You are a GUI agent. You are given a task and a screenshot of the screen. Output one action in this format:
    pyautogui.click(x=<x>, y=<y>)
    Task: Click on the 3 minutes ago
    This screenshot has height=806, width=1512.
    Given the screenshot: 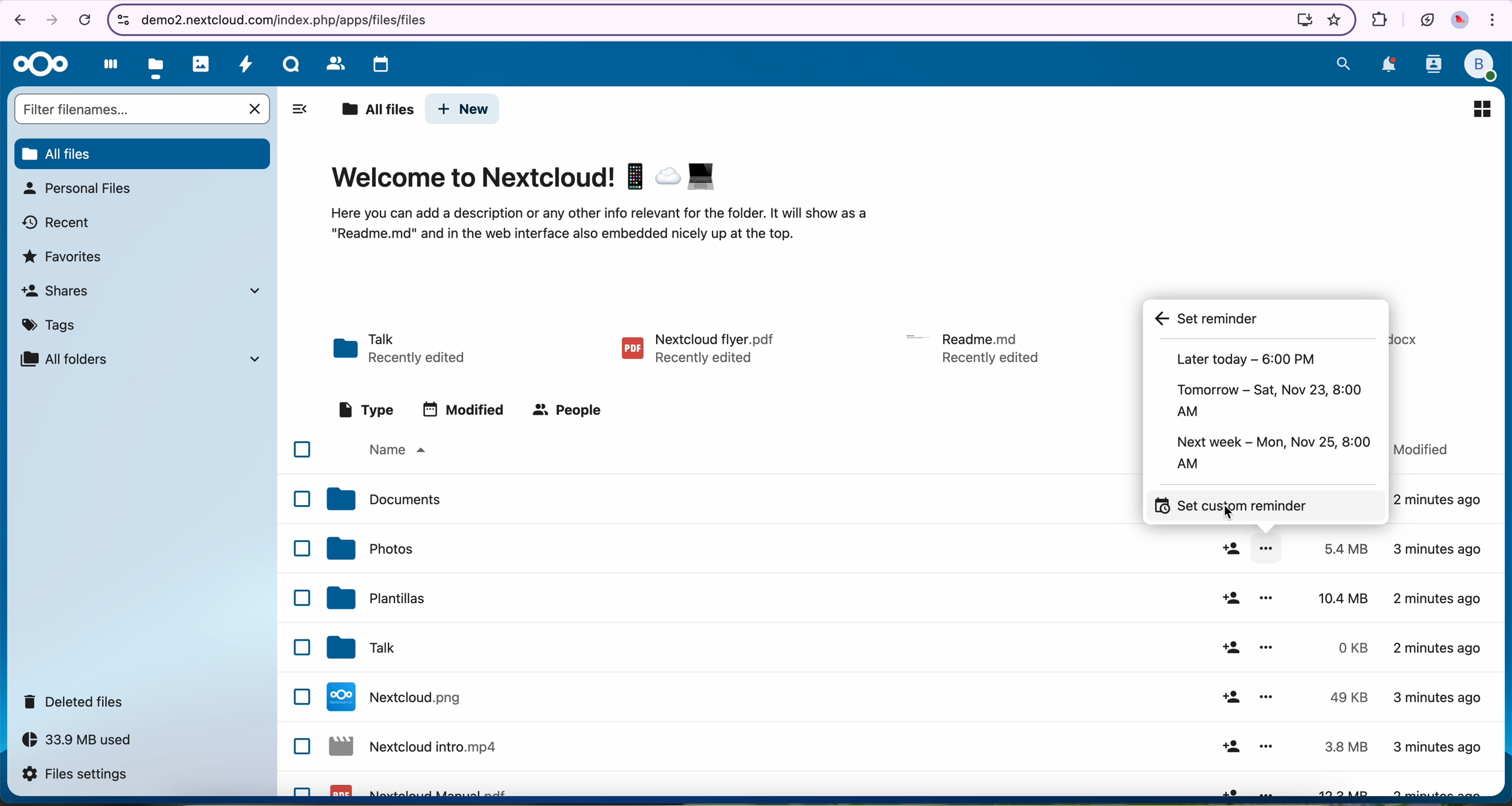 What is the action you would take?
    pyautogui.click(x=1437, y=699)
    